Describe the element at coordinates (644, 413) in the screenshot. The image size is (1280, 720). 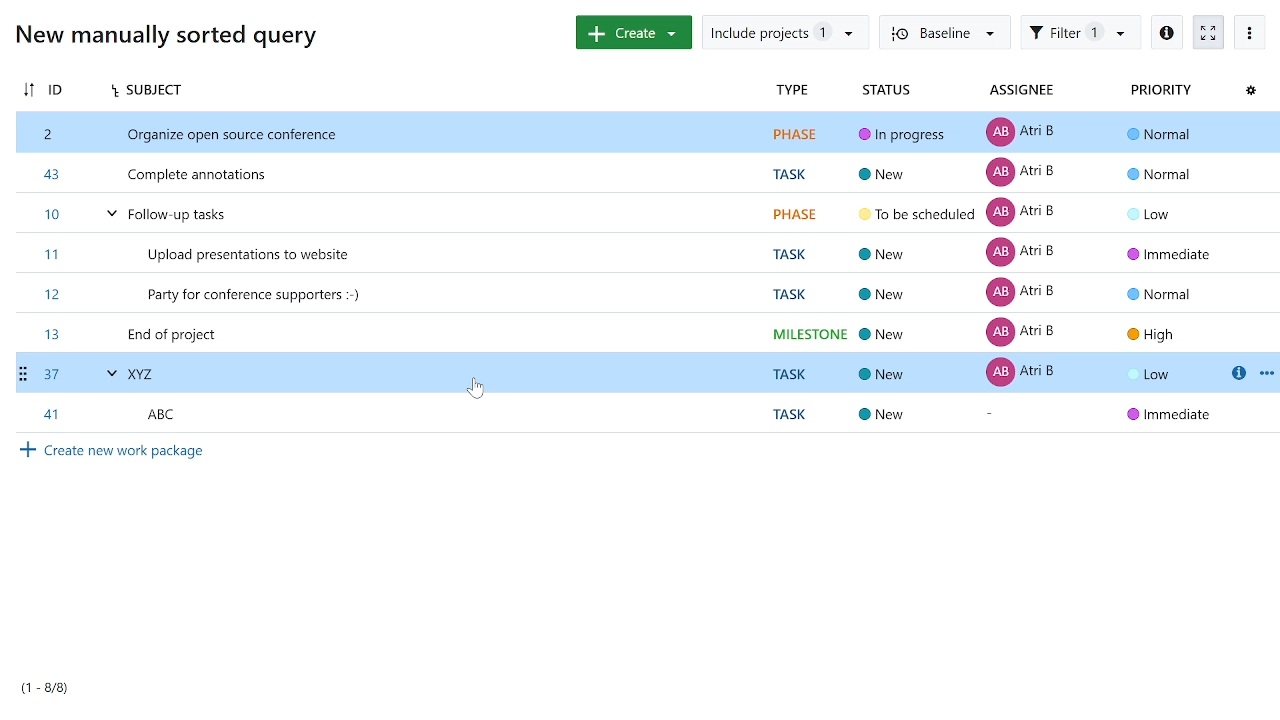
I see `task name "ABC"` at that location.